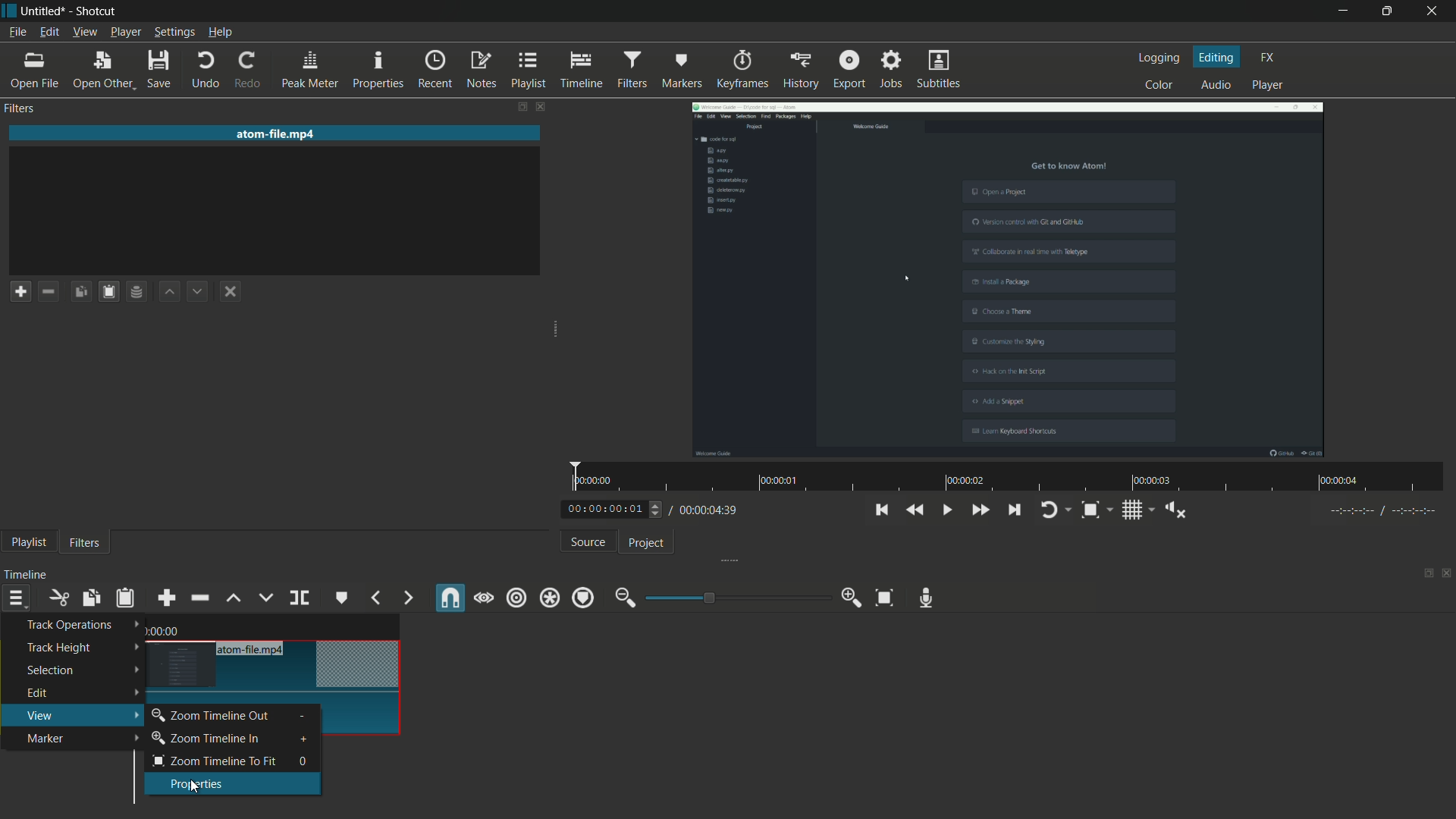 The width and height of the screenshot is (1456, 819). I want to click on video in timeline, so click(284, 683).